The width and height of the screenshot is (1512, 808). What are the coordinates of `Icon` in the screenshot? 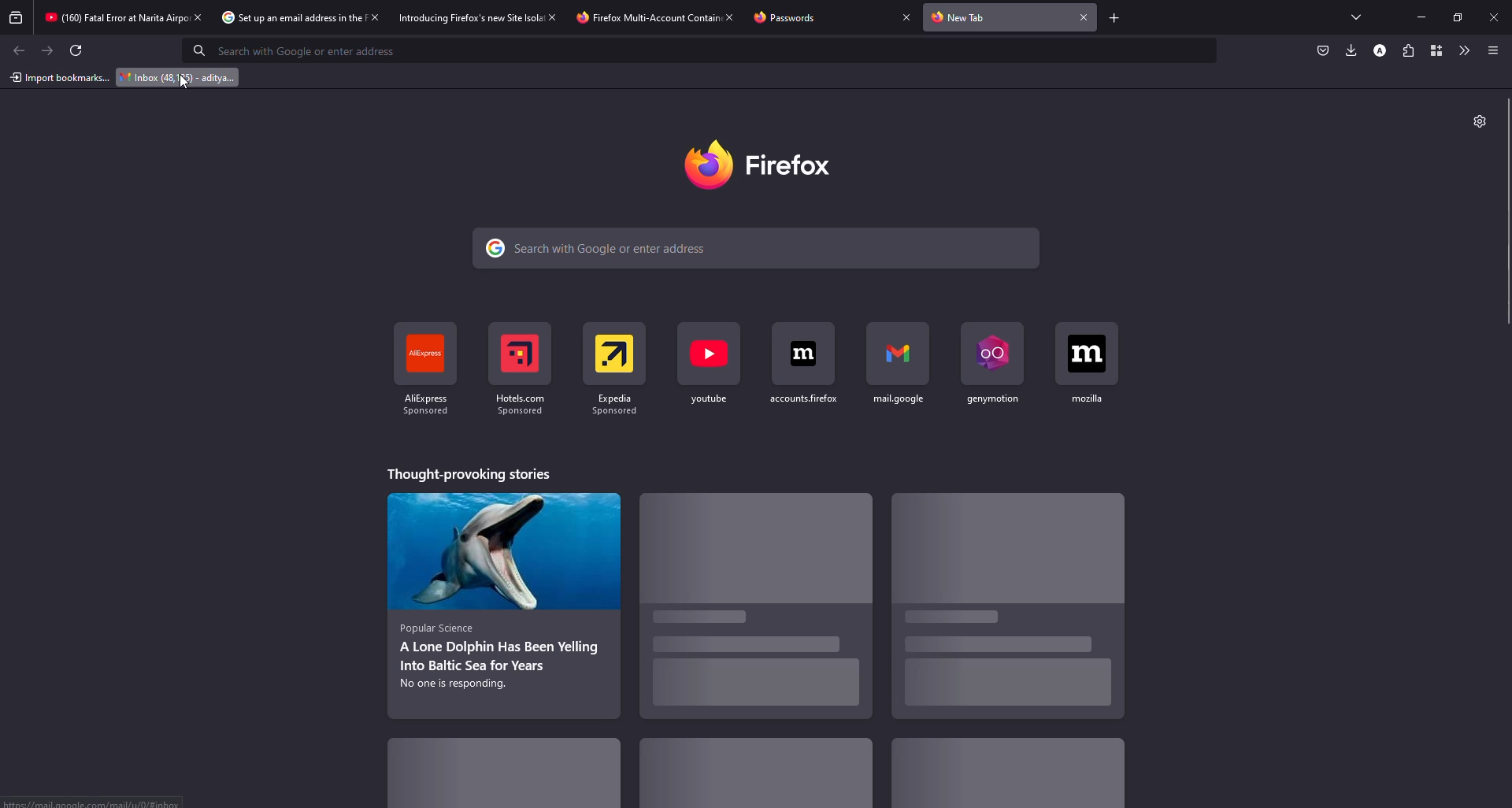 It's located at (985, 350).